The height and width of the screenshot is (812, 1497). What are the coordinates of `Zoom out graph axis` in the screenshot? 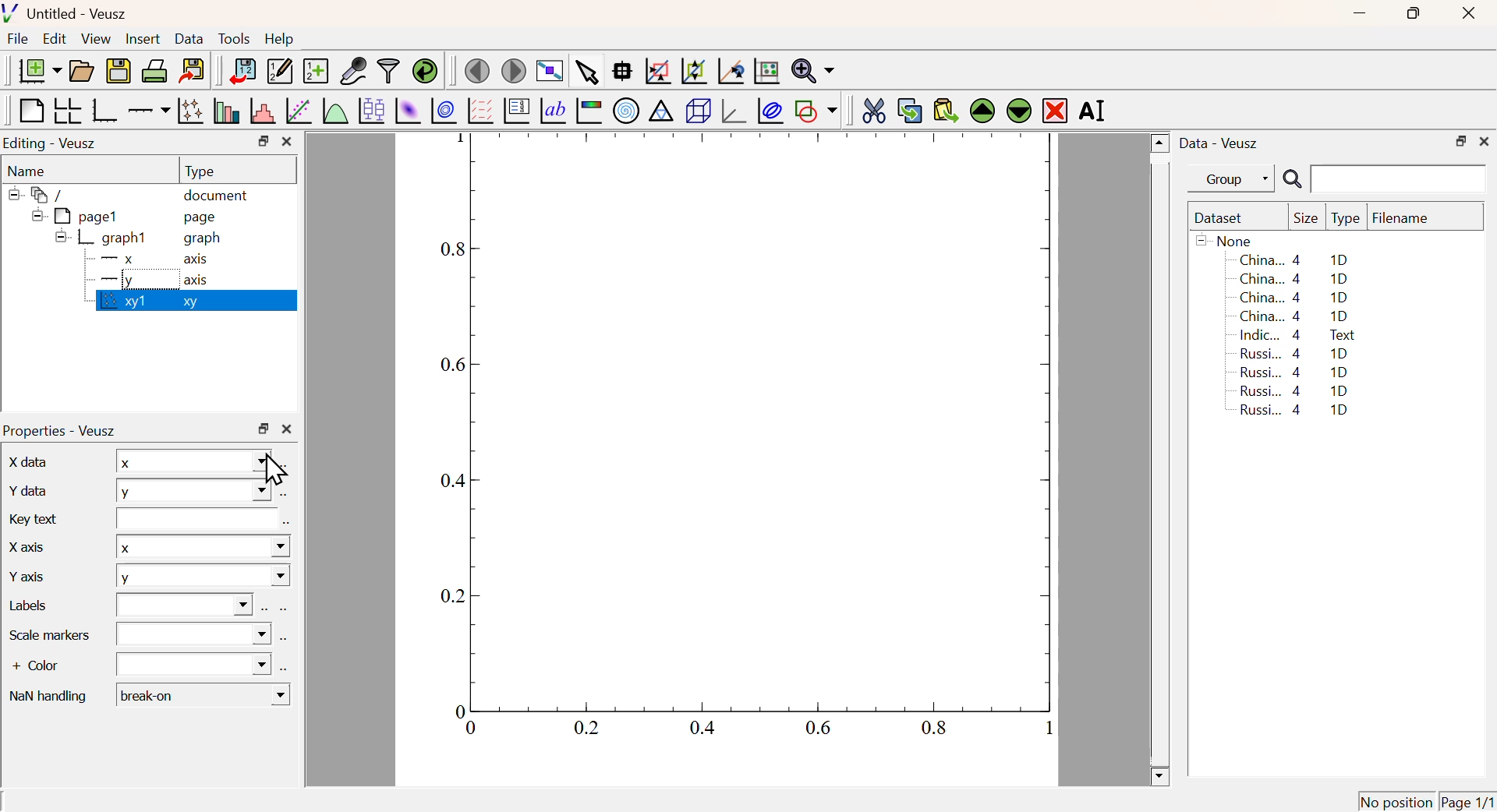 It's located at (693, 69).